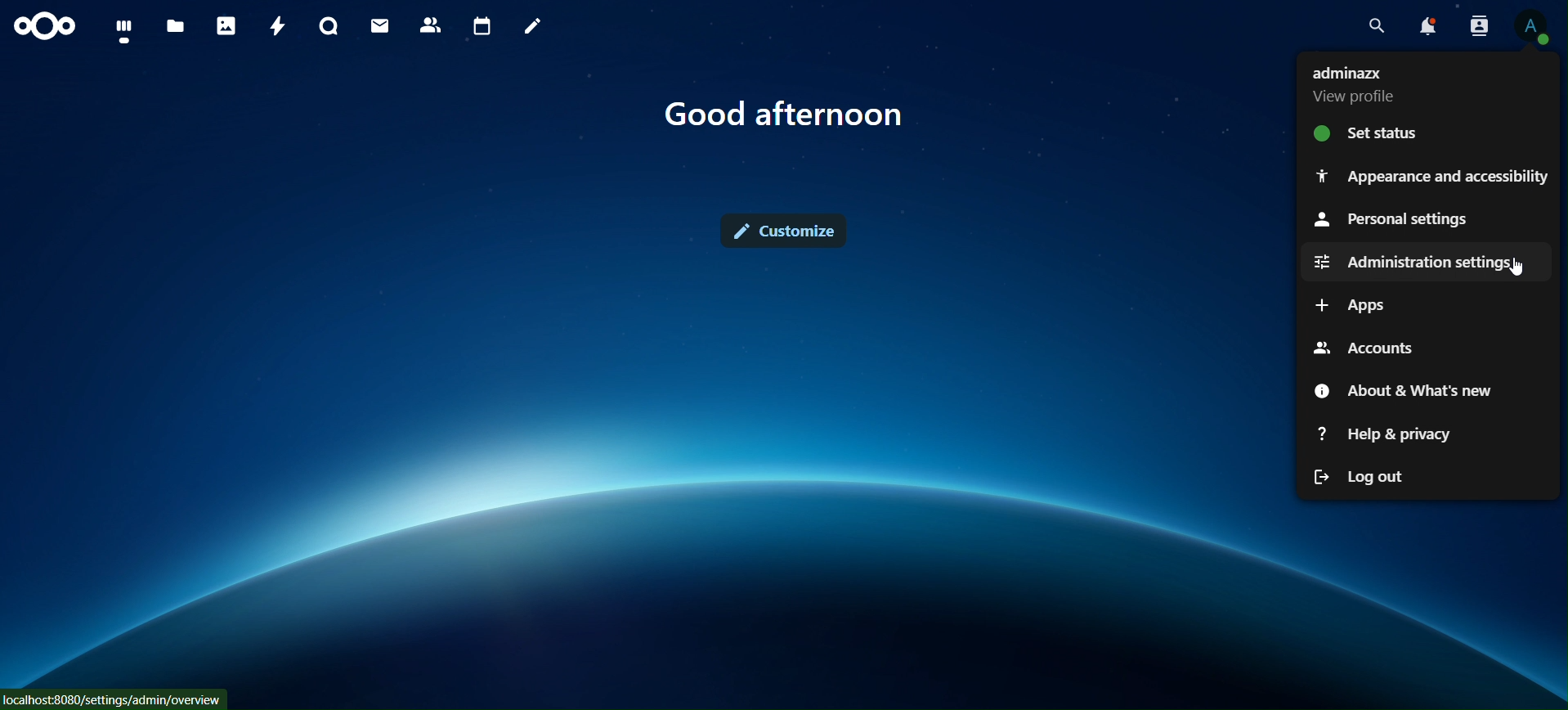 The image size is (1568, 710). Describe the element at coordinates (225, 28) in the screenshot. I see `photos` at that location.